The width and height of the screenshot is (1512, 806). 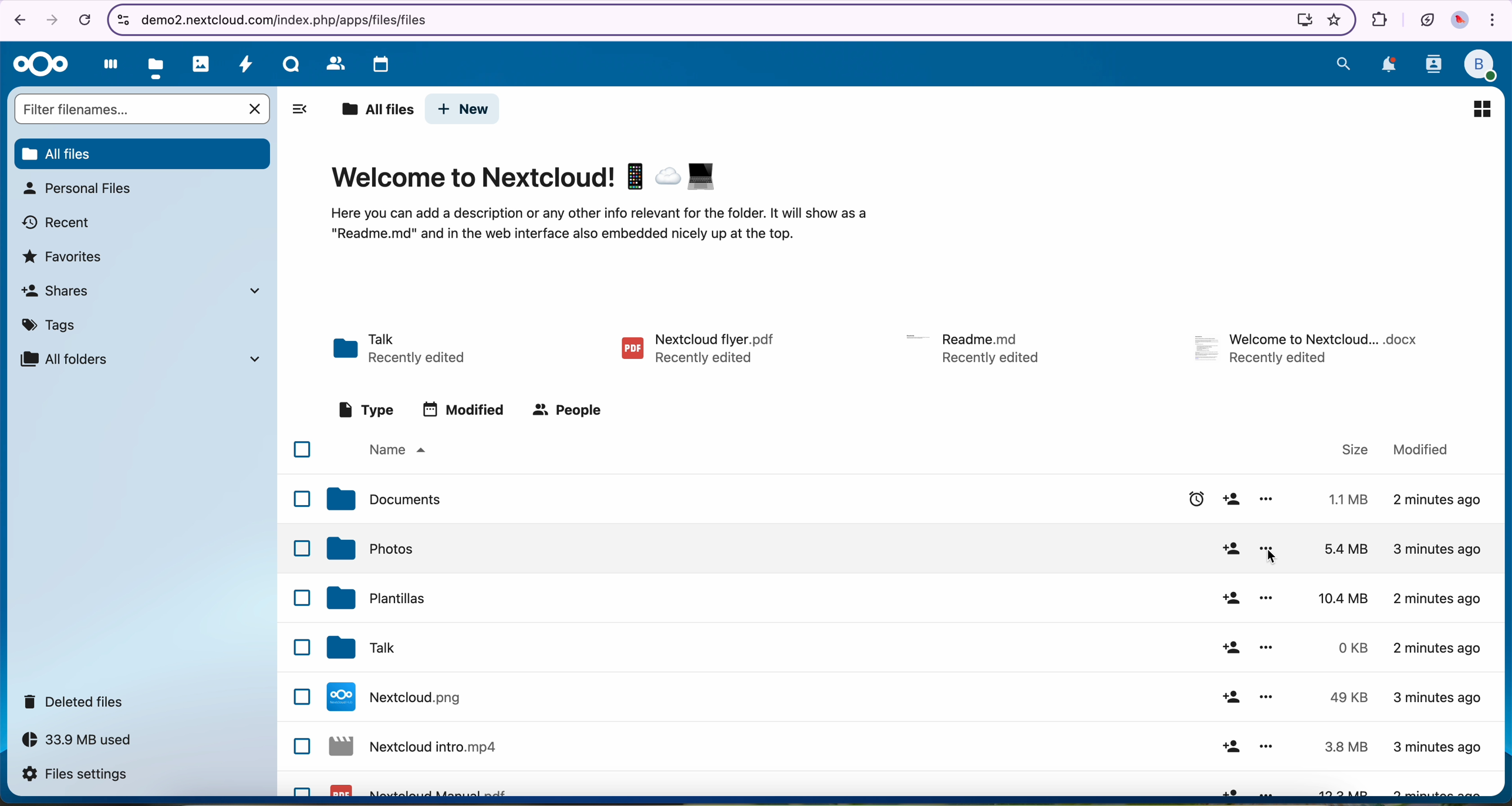 What do you see at coordinates (1229, 648) in the screenshot?
I see `share` at bounding box center [1229, 648].